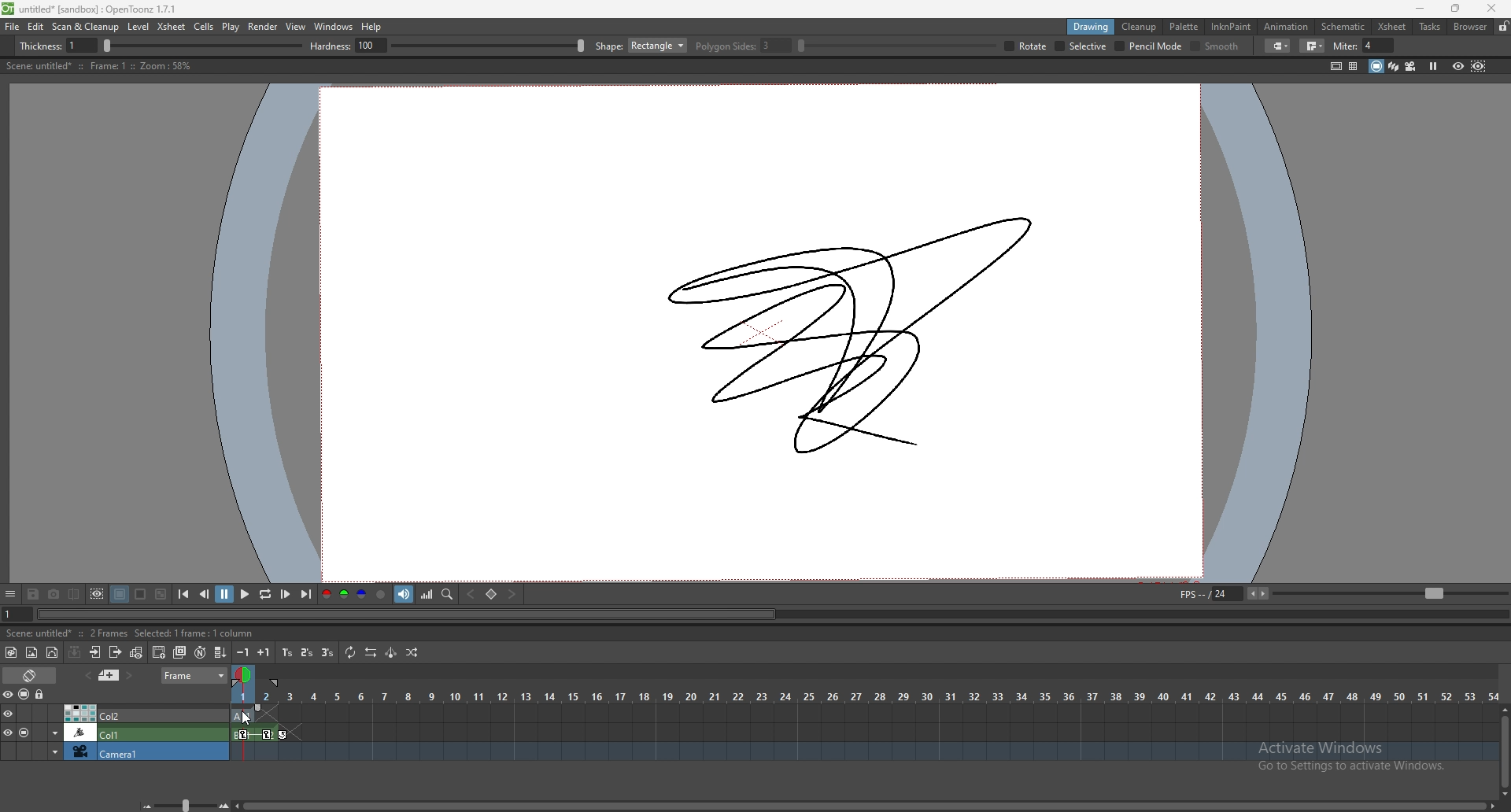  I want to click on set key, so click(490, 594).